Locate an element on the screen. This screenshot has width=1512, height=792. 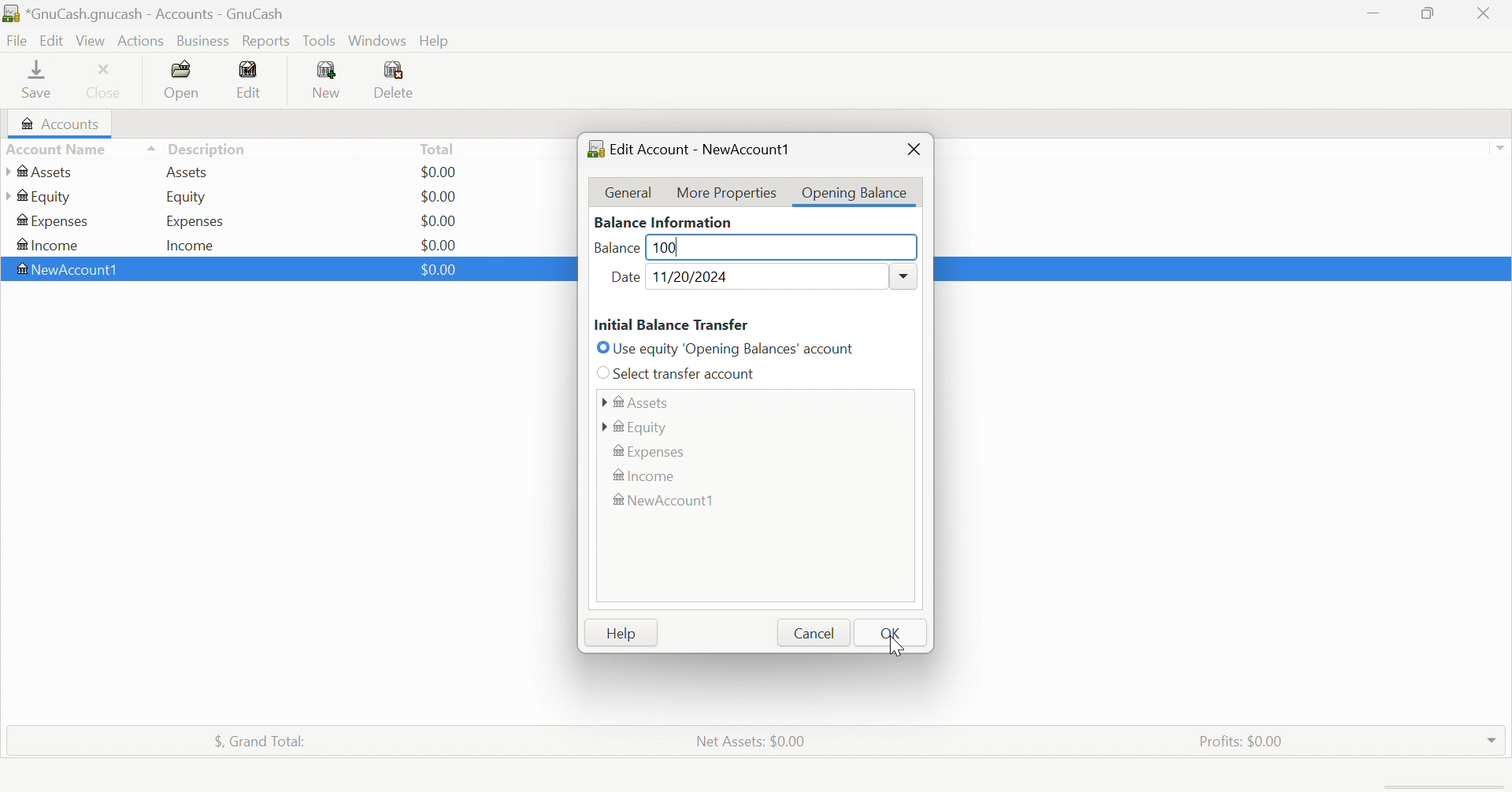
Save is located at coordinates (39, 81).